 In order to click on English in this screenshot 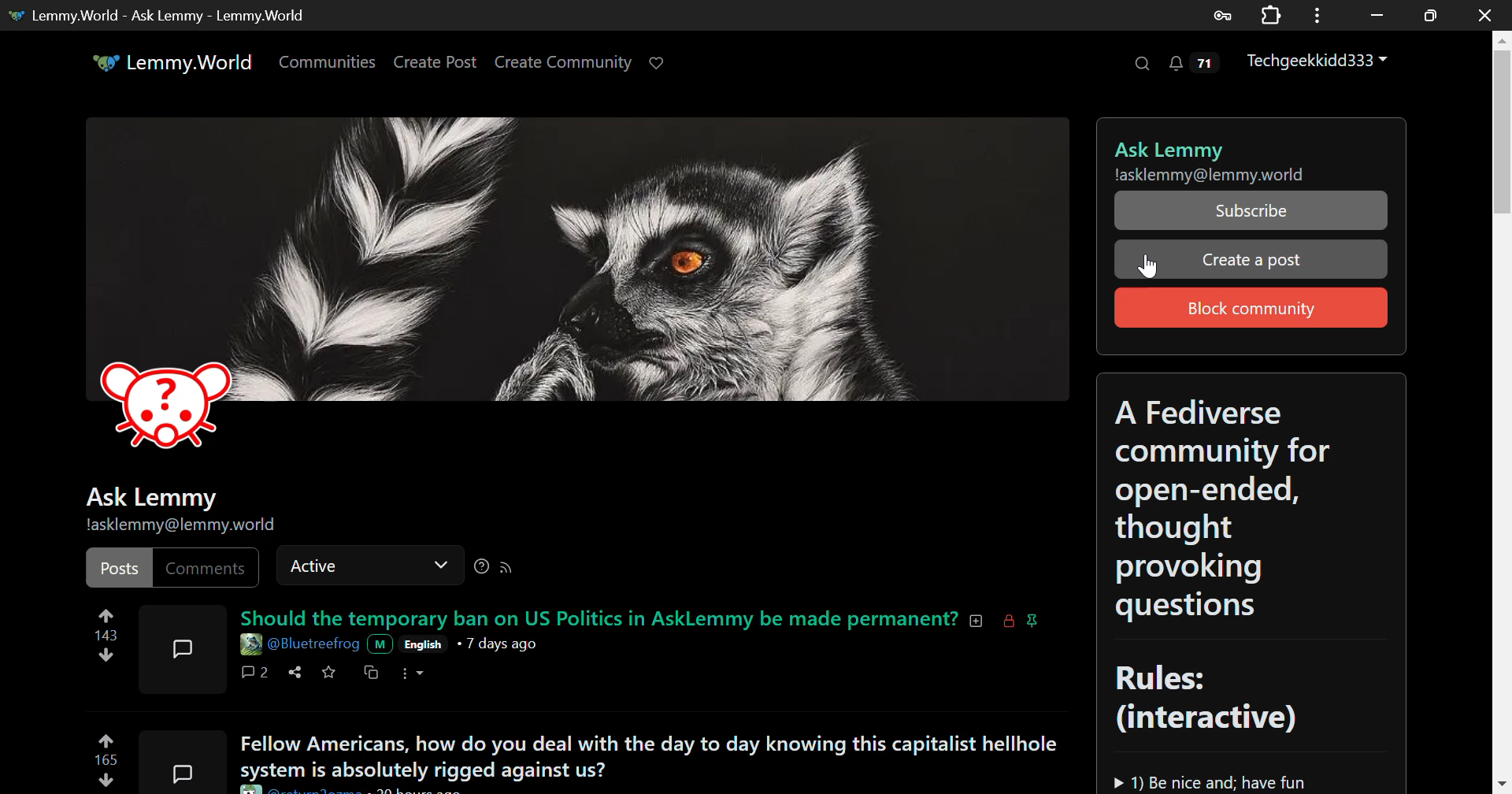, I will do `click(424, 643)`.